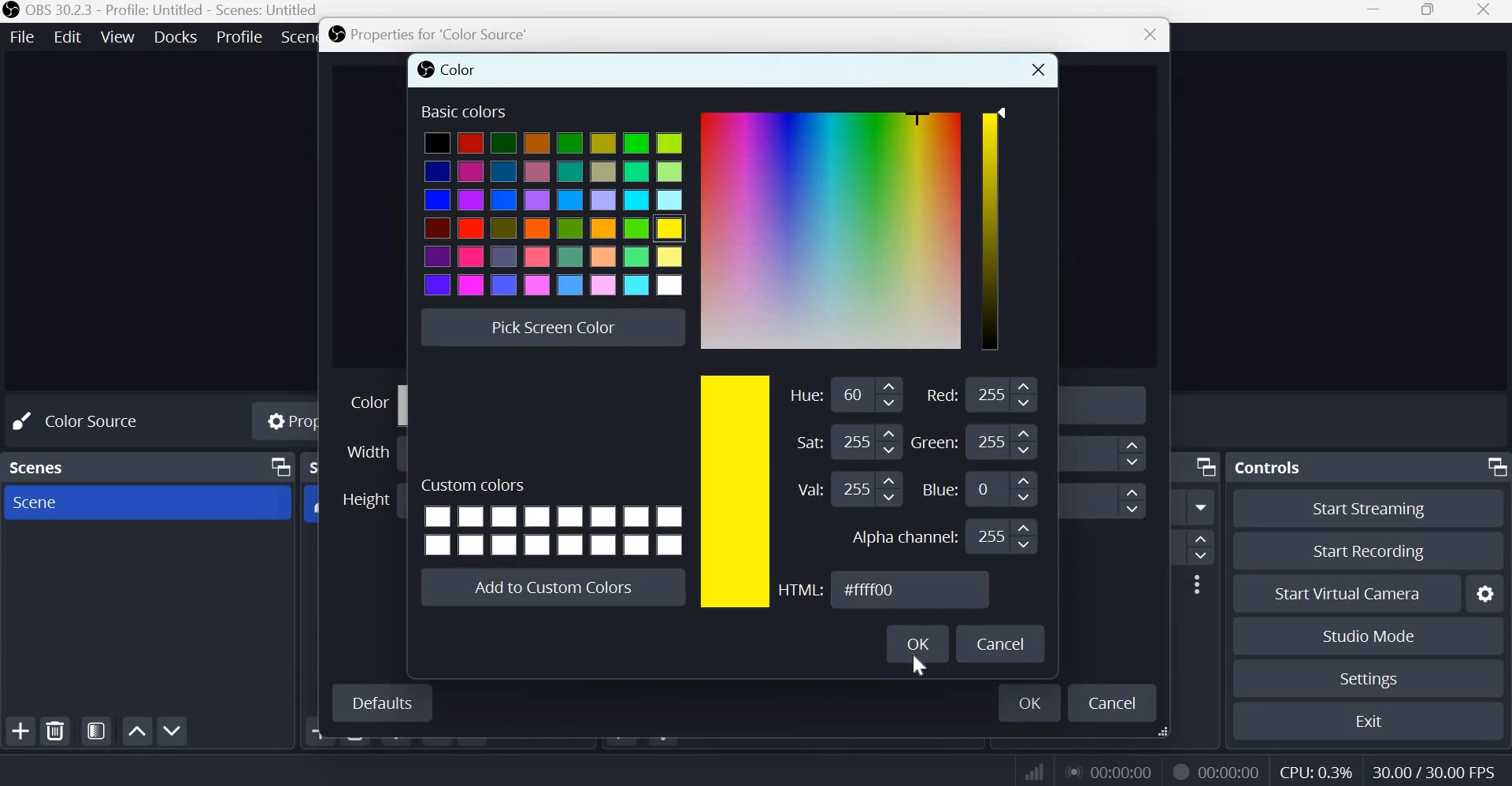 The height and width of the screenshot is (786, 1512). I want to click on Profile, so click(238, 36).